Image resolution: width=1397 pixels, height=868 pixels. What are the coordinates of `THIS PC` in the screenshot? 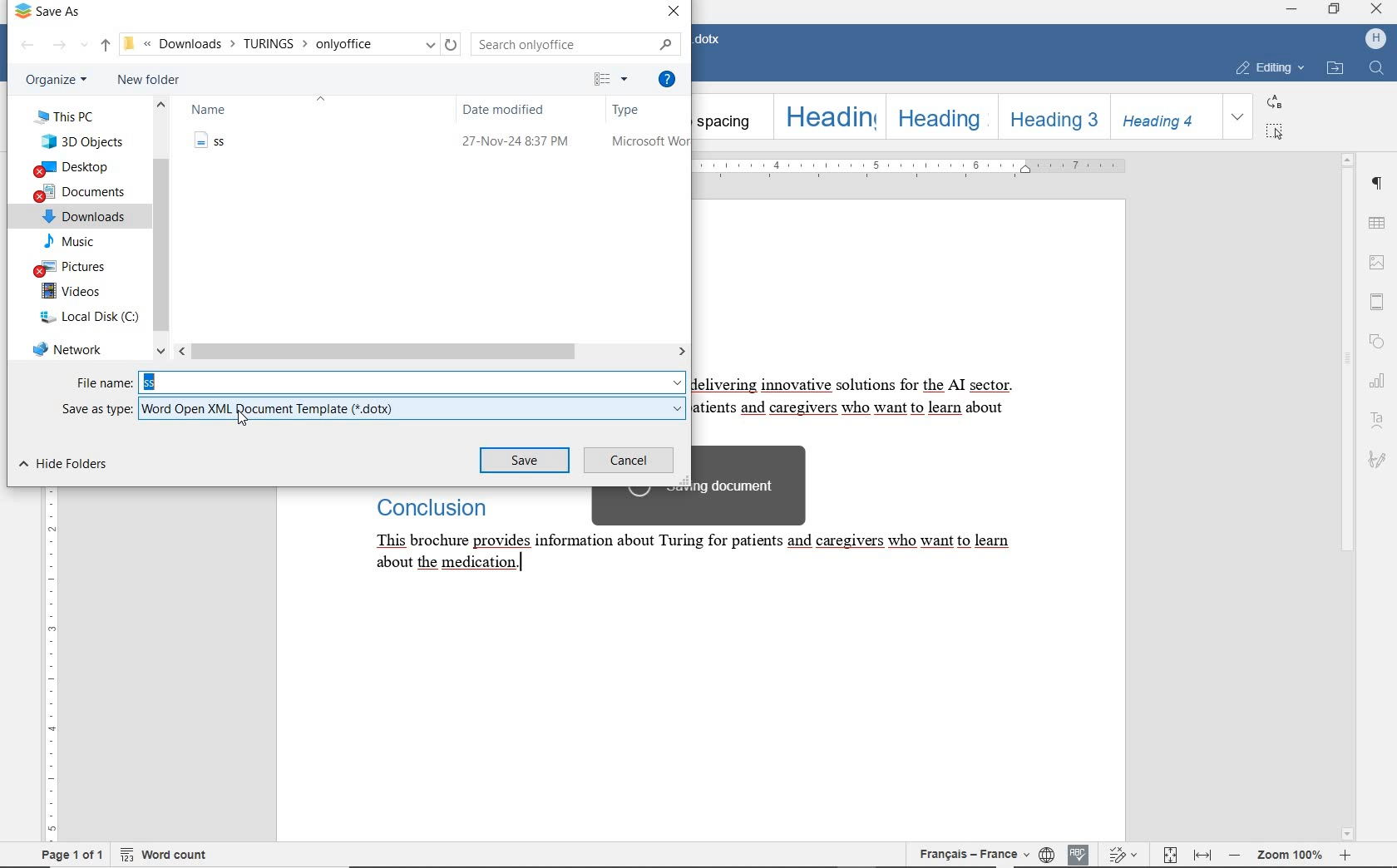 It's located at (76, 115).